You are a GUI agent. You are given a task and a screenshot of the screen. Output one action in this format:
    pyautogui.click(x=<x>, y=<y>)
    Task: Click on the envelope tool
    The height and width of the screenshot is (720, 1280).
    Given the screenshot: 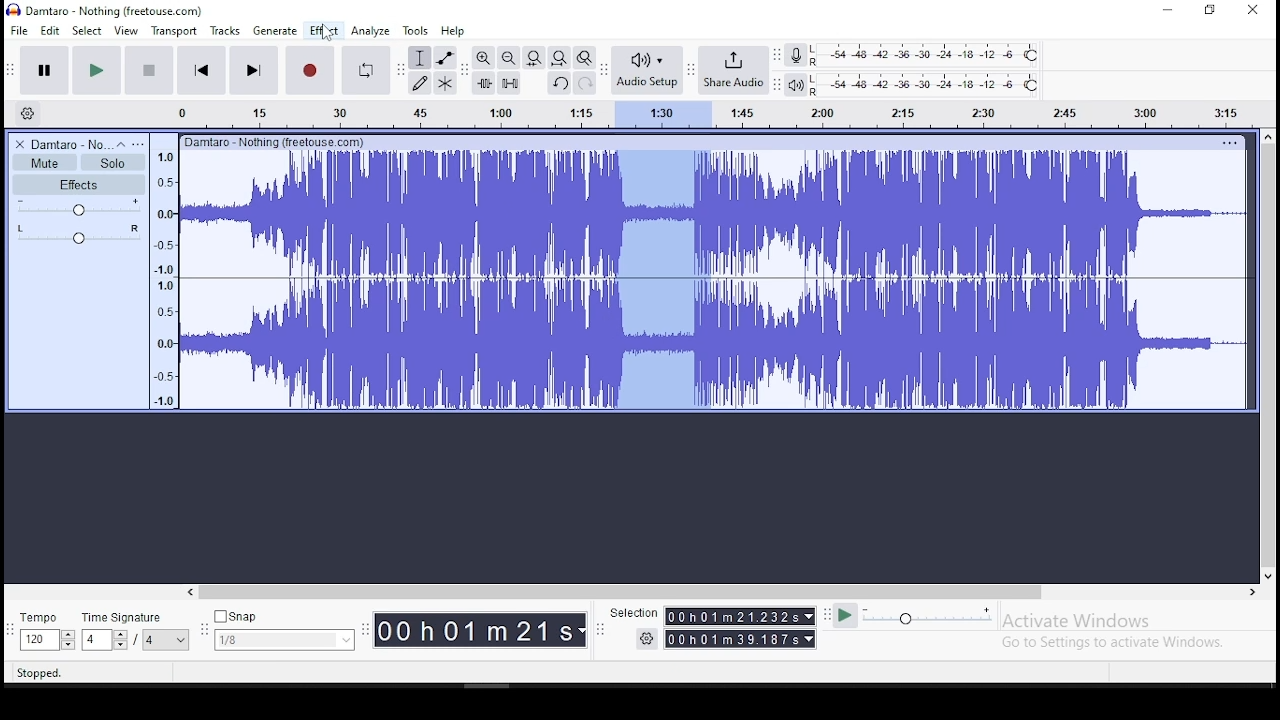 What is the action you would take?
    pyautogui.click(x=444, y=57)
    